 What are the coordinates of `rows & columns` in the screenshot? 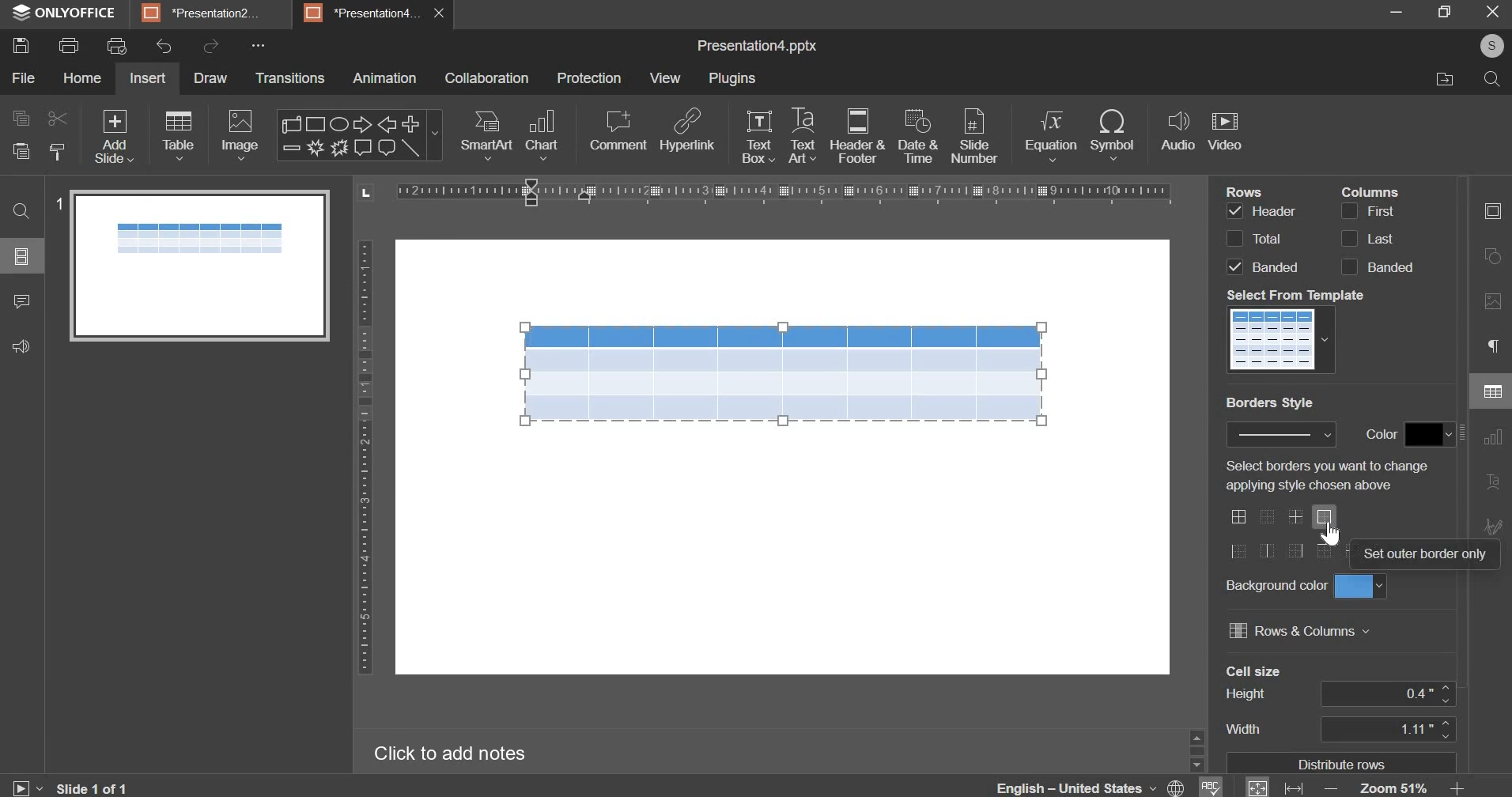 It's located at (1299, 633).